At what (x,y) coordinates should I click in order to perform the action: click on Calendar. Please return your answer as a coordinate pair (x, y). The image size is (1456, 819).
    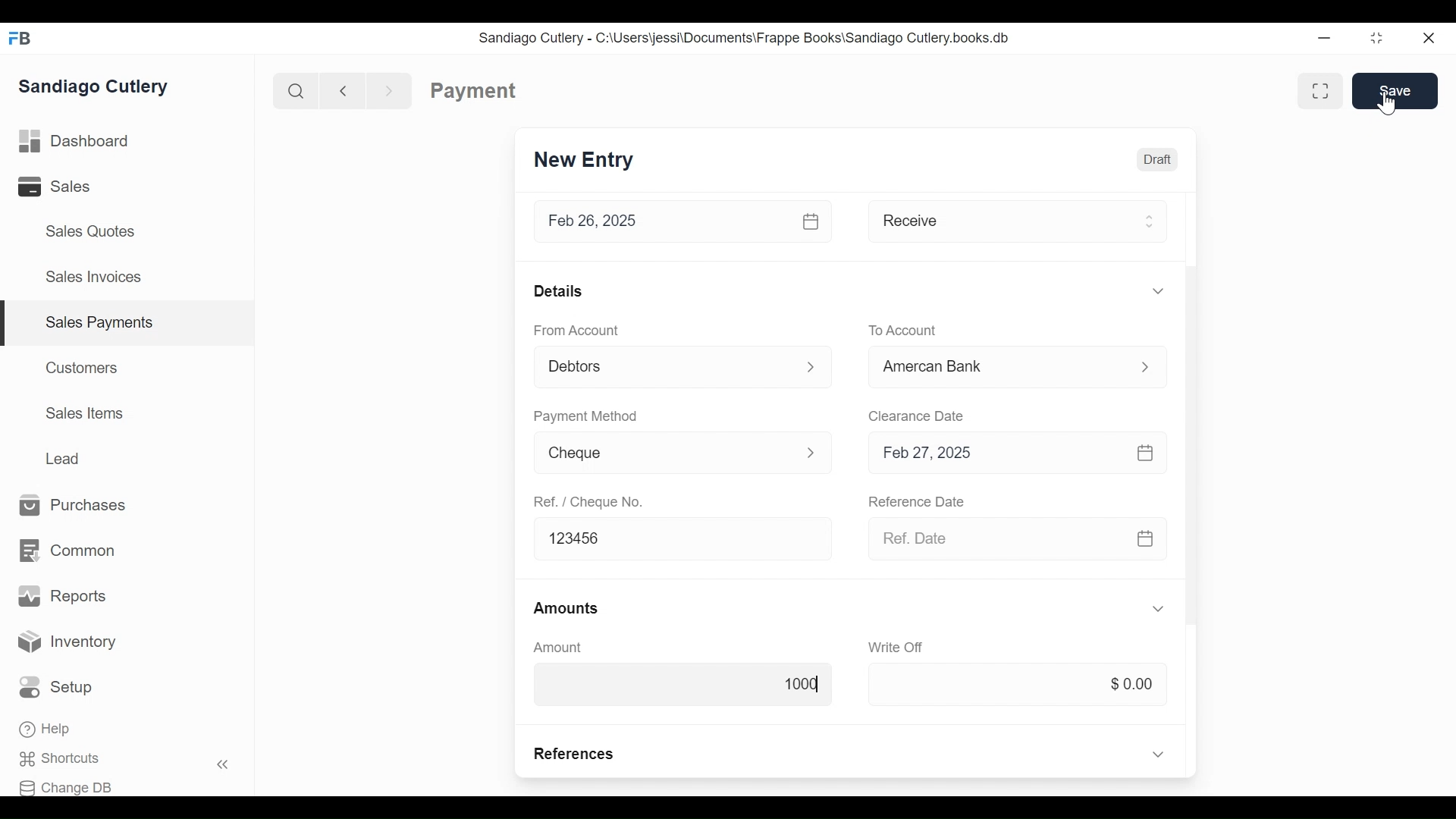
    Looking at the image, I should click on (1146, 452).